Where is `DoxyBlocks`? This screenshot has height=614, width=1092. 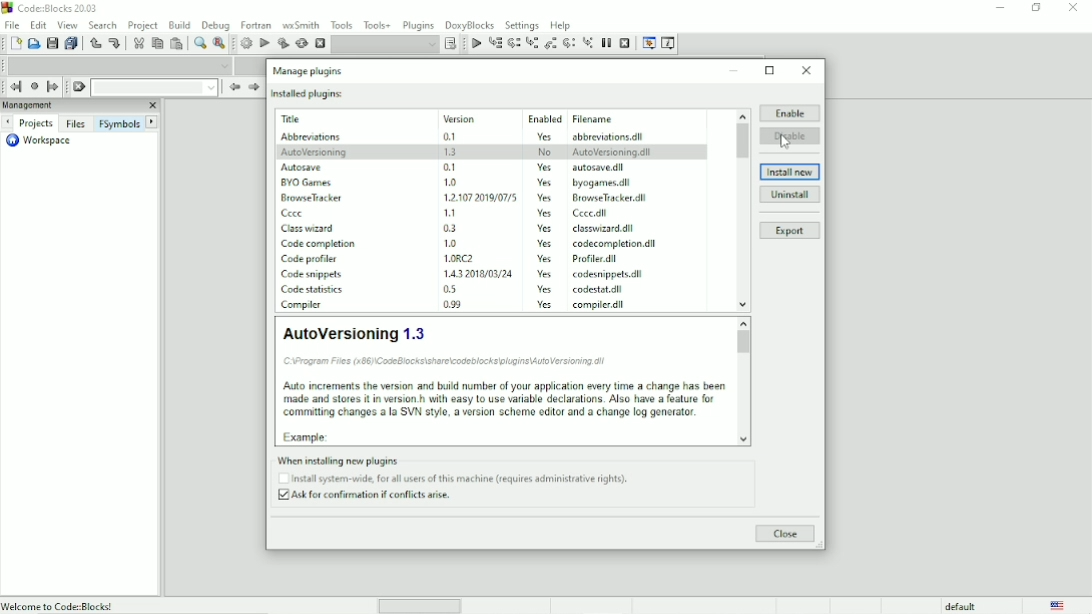
DoxyBlocks is located at coordinates (470, 24).